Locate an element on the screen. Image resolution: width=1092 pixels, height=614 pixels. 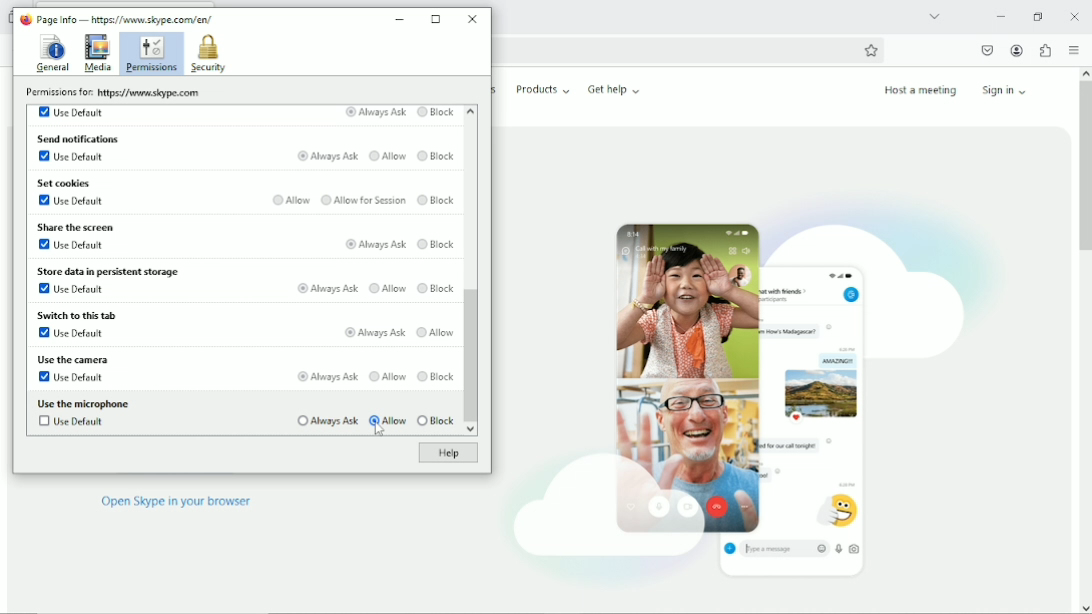
Allow is located at coordinates (436, 332).